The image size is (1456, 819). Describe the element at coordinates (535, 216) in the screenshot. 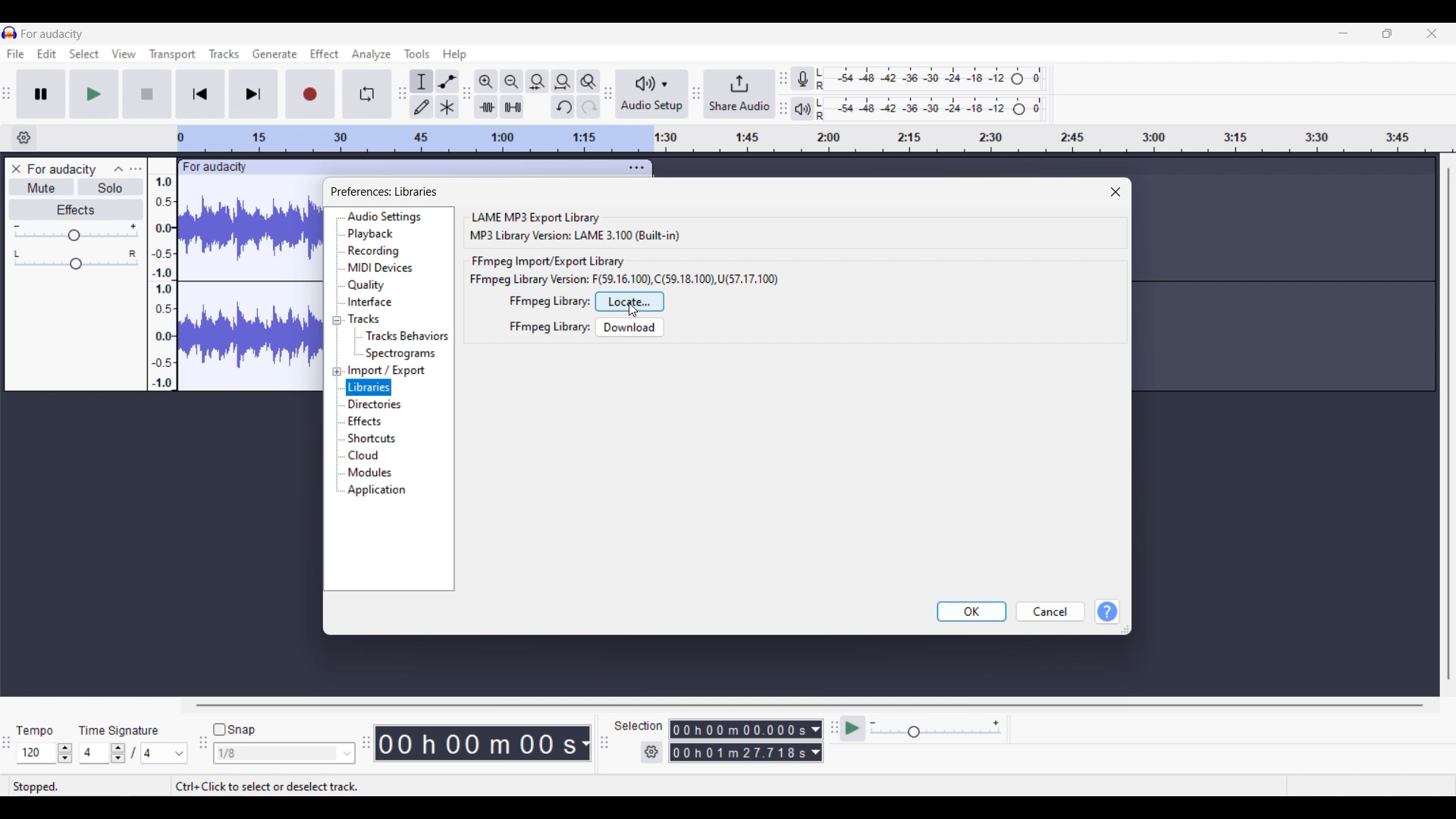

I see `LAME MP3 export library` at that location.